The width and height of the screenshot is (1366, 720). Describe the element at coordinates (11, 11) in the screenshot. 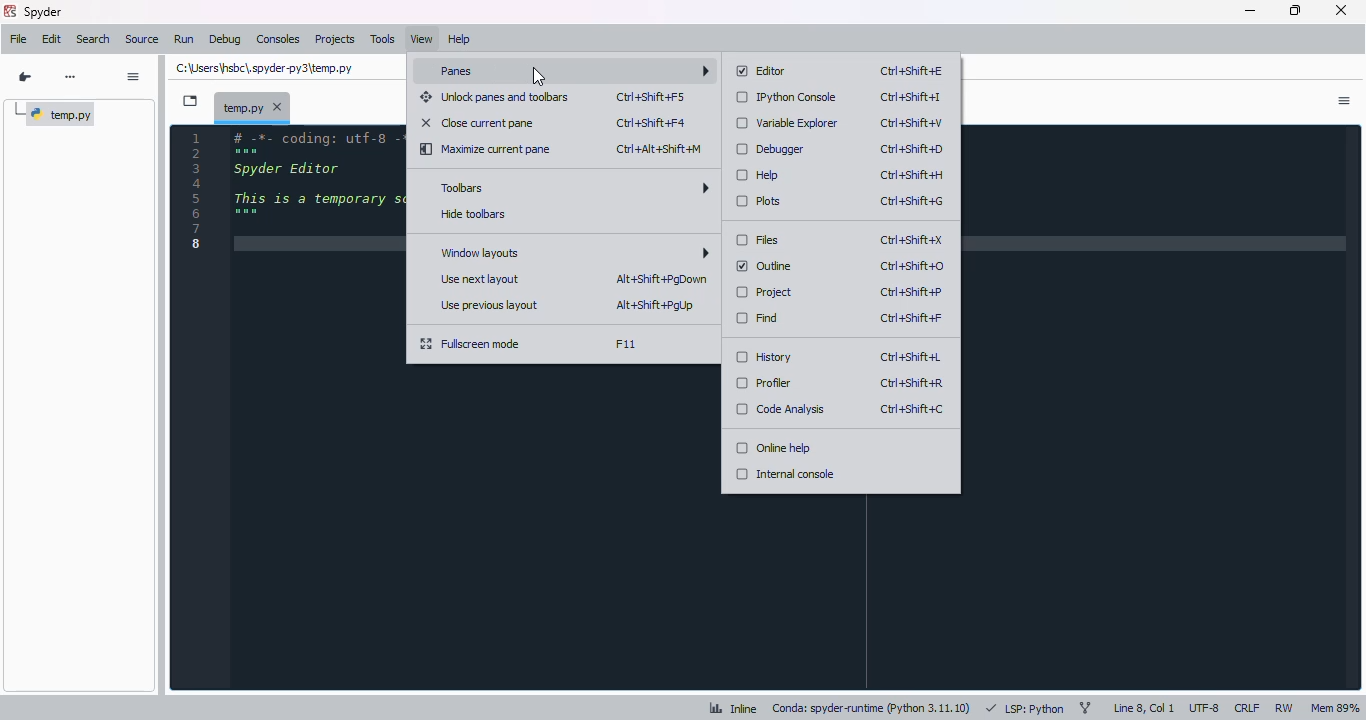

I see `logo` at that location.